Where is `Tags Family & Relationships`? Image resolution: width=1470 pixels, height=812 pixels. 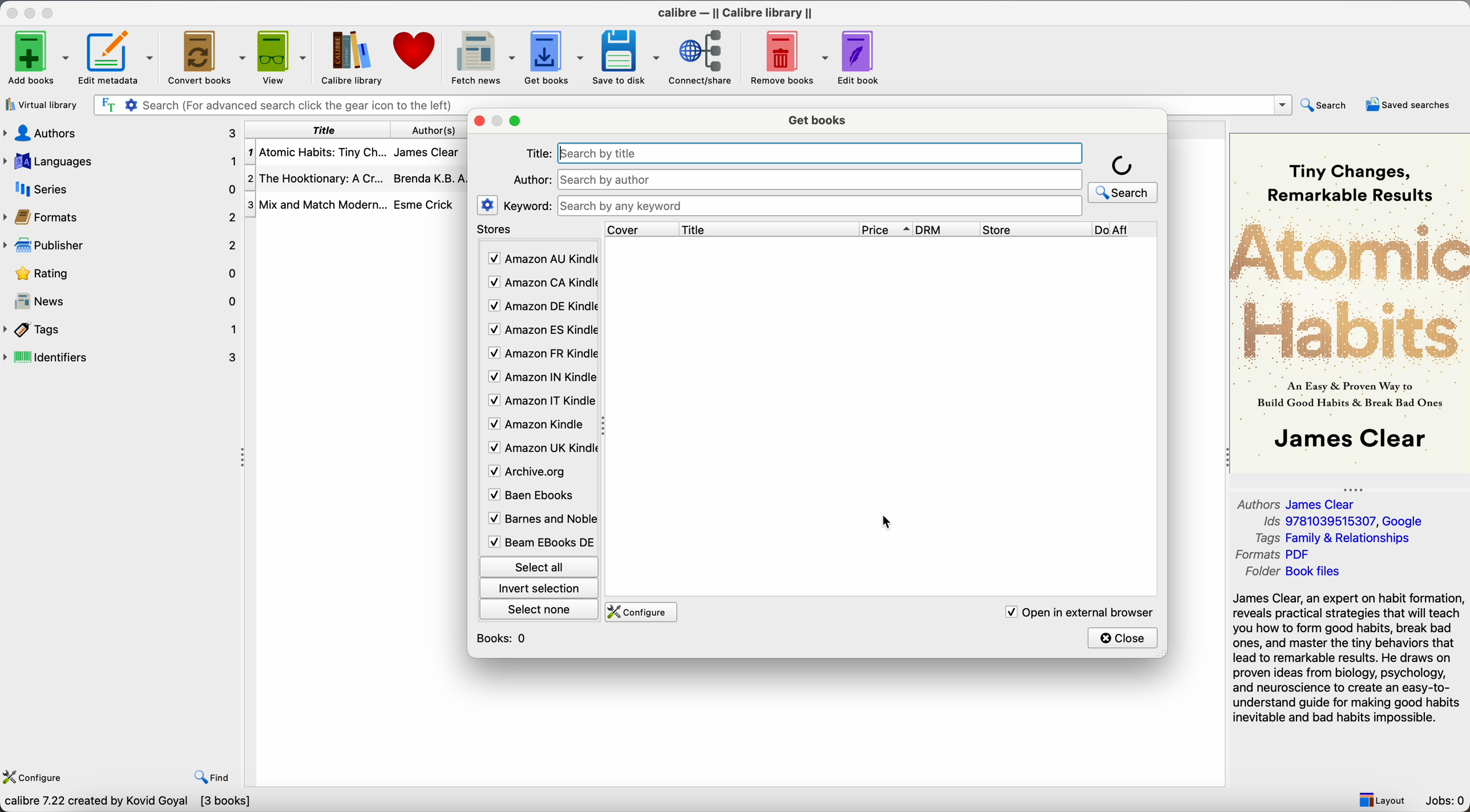 Tags Family & Relationships is located at coordinates (1332, 539).